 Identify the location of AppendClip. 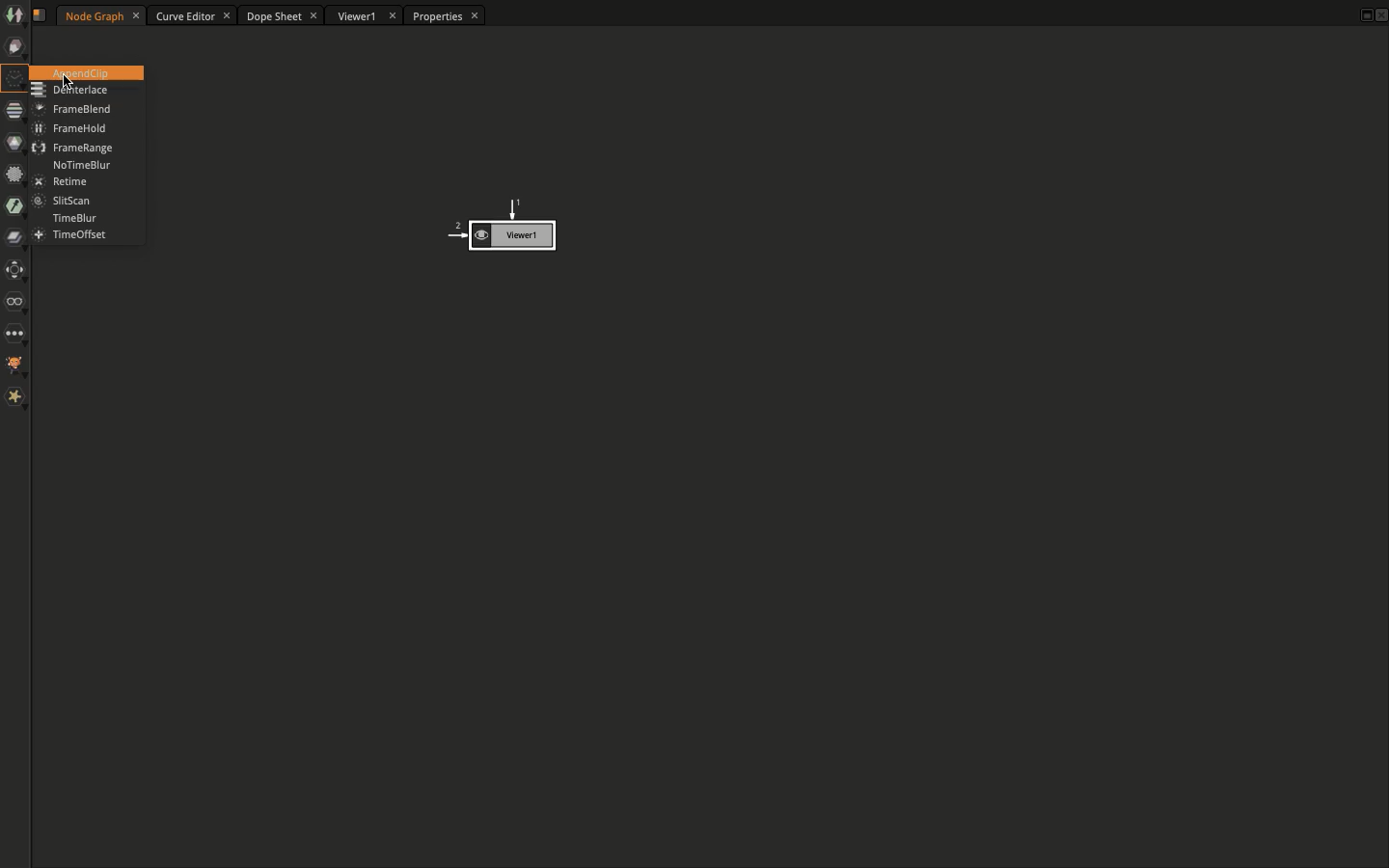
(88, 72).